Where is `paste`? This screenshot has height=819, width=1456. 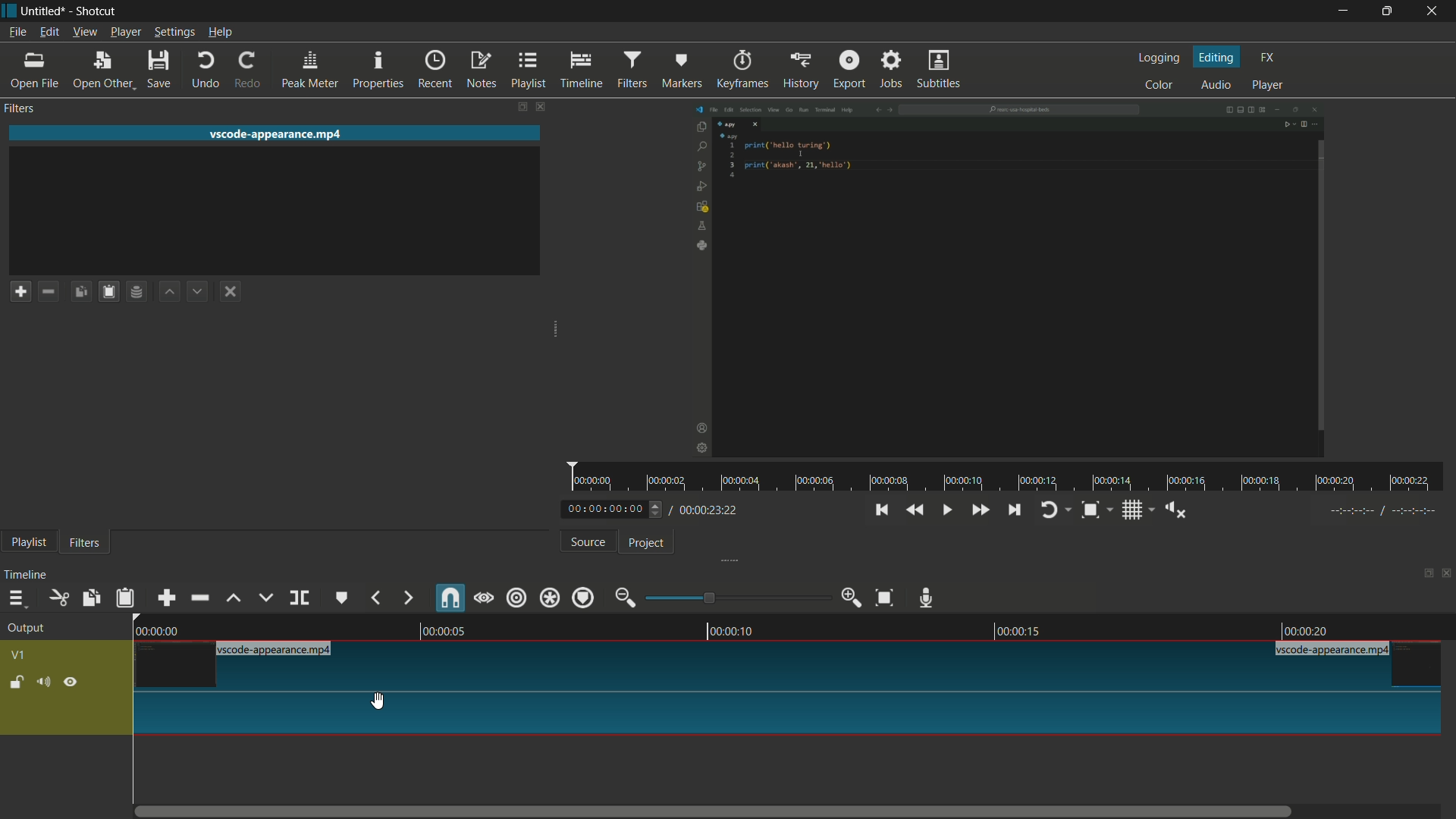
paste is located at coordinates (125, 598).